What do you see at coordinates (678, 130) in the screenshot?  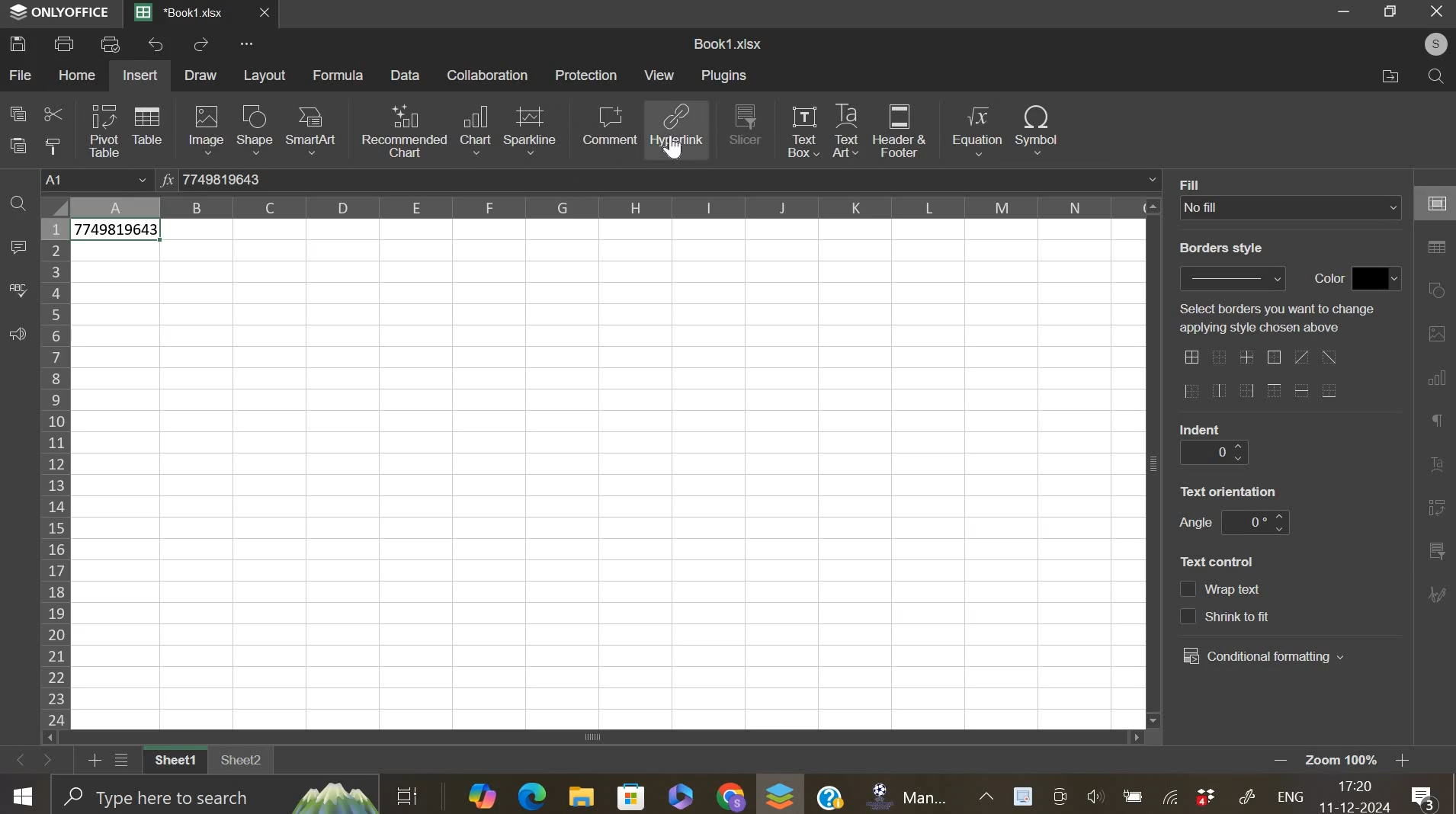 I see `hyperlink` at bounding box center [678, 130].